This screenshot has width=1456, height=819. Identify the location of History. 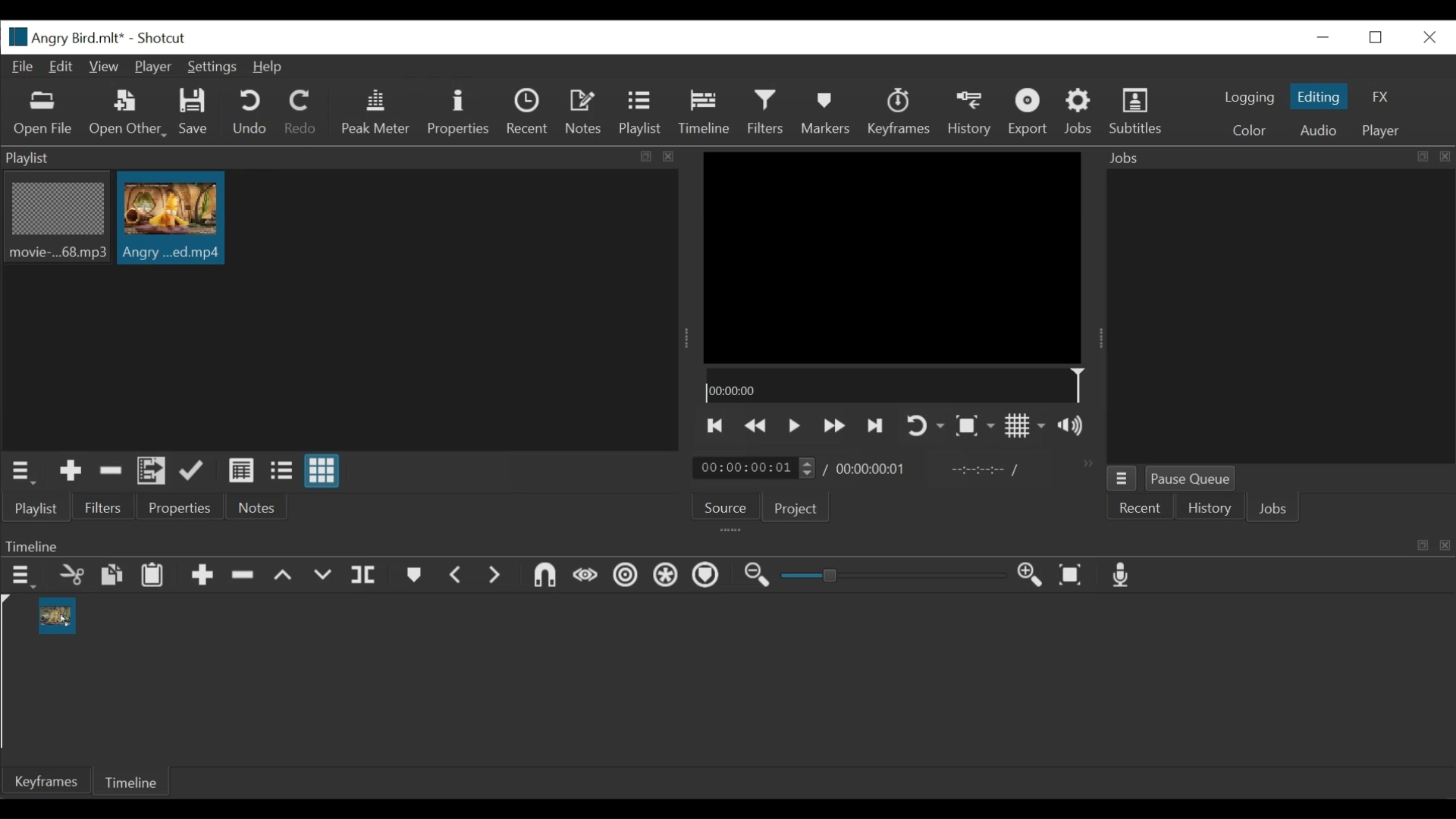
(970, 114).